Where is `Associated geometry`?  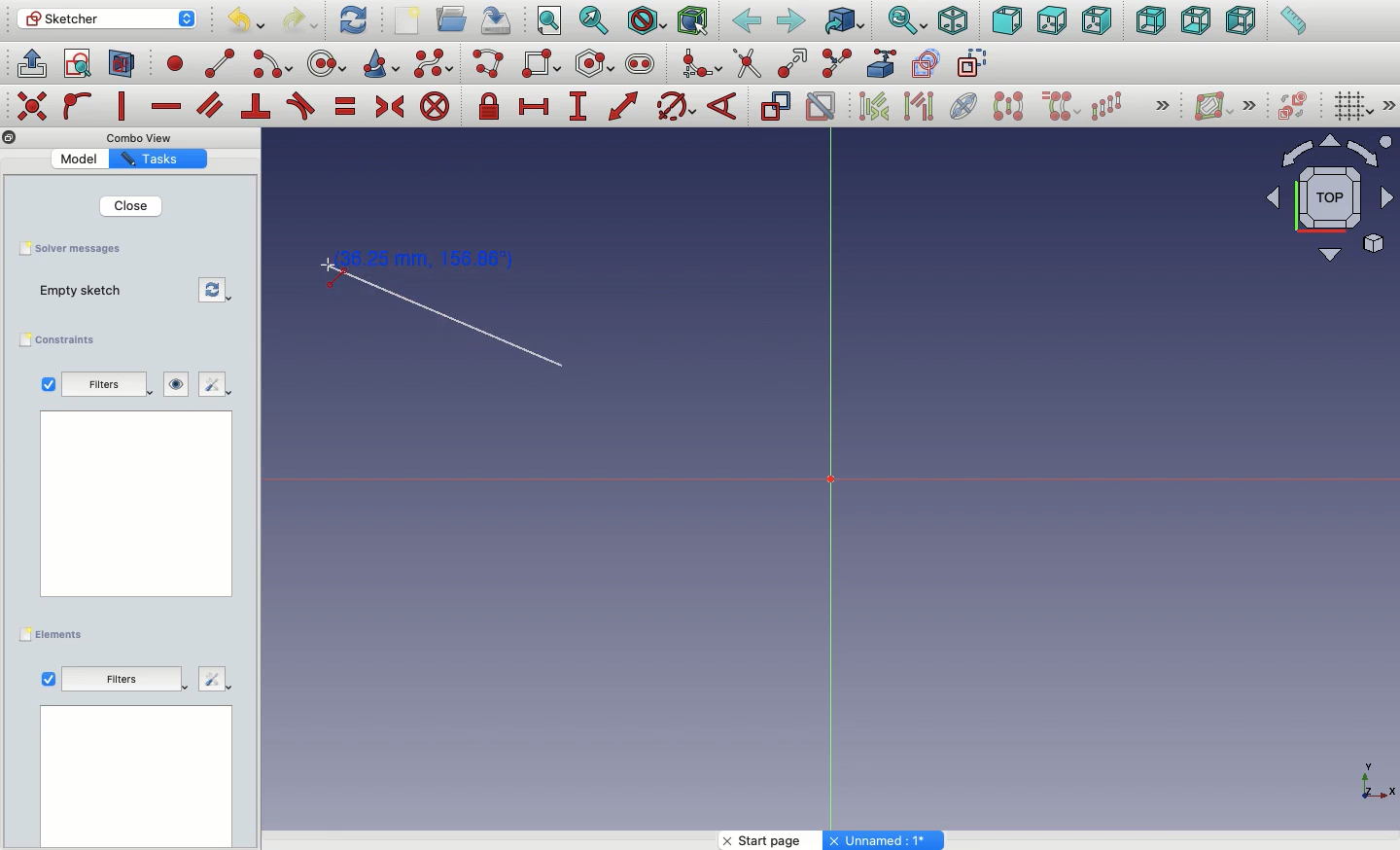 Associated geometry is located at coordinates (919, 109).